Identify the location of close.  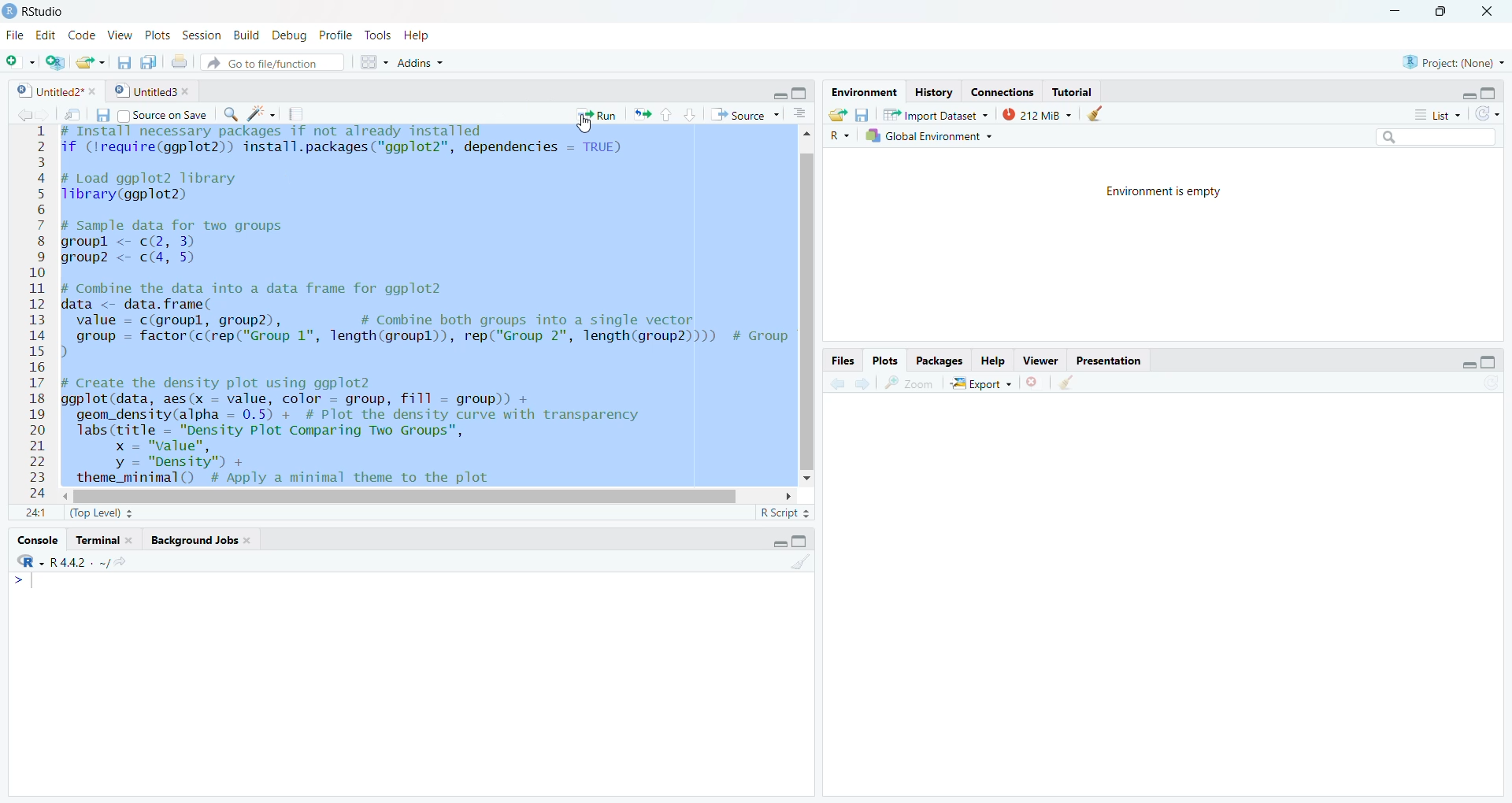
(1489, 12).